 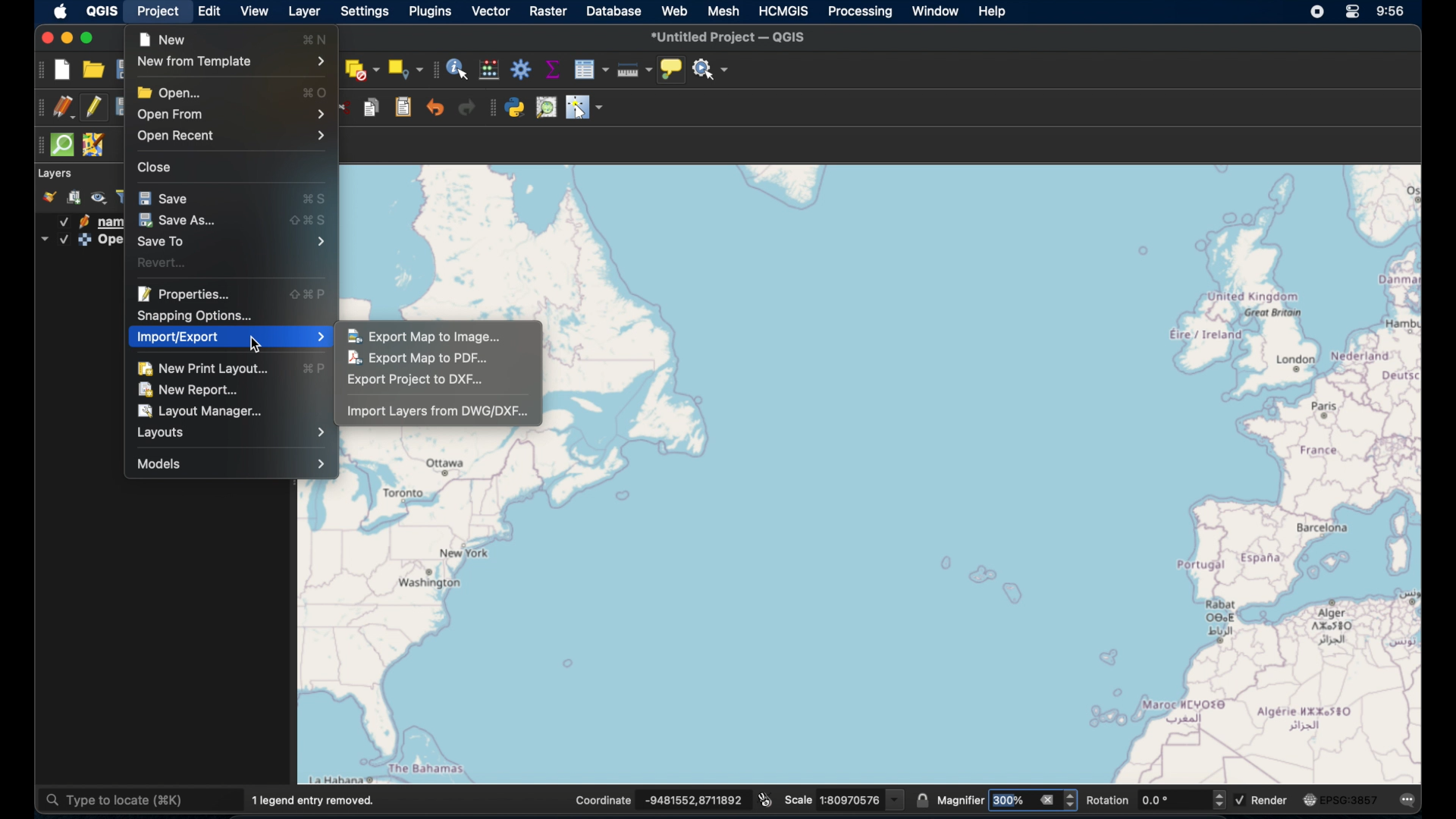 I want to click on redo, so click(x=468, y=110).